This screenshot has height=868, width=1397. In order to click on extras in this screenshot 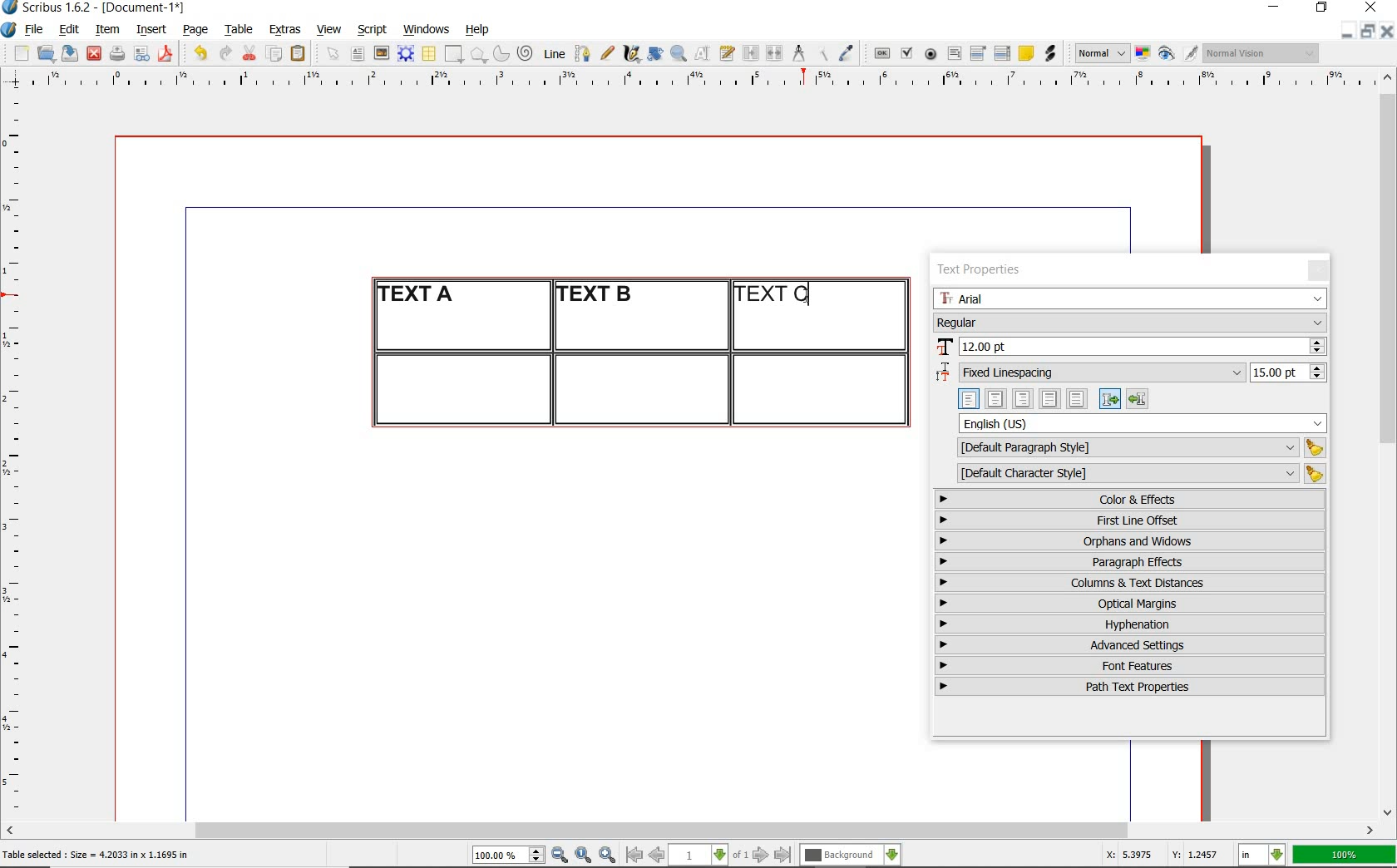, I will do `click(285, 31)`.